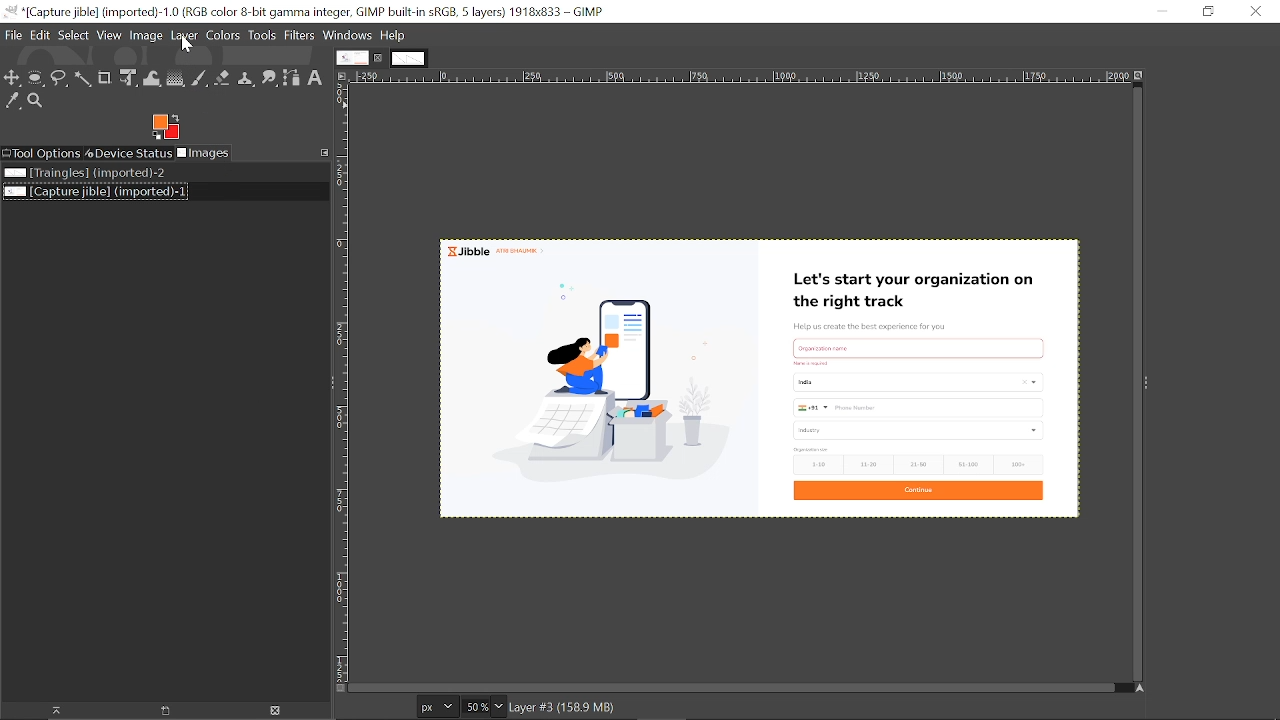 Image resolution: width=1280 pixels, height=720 pixels. I want to click on Side bar menu, so click(1148, 383).